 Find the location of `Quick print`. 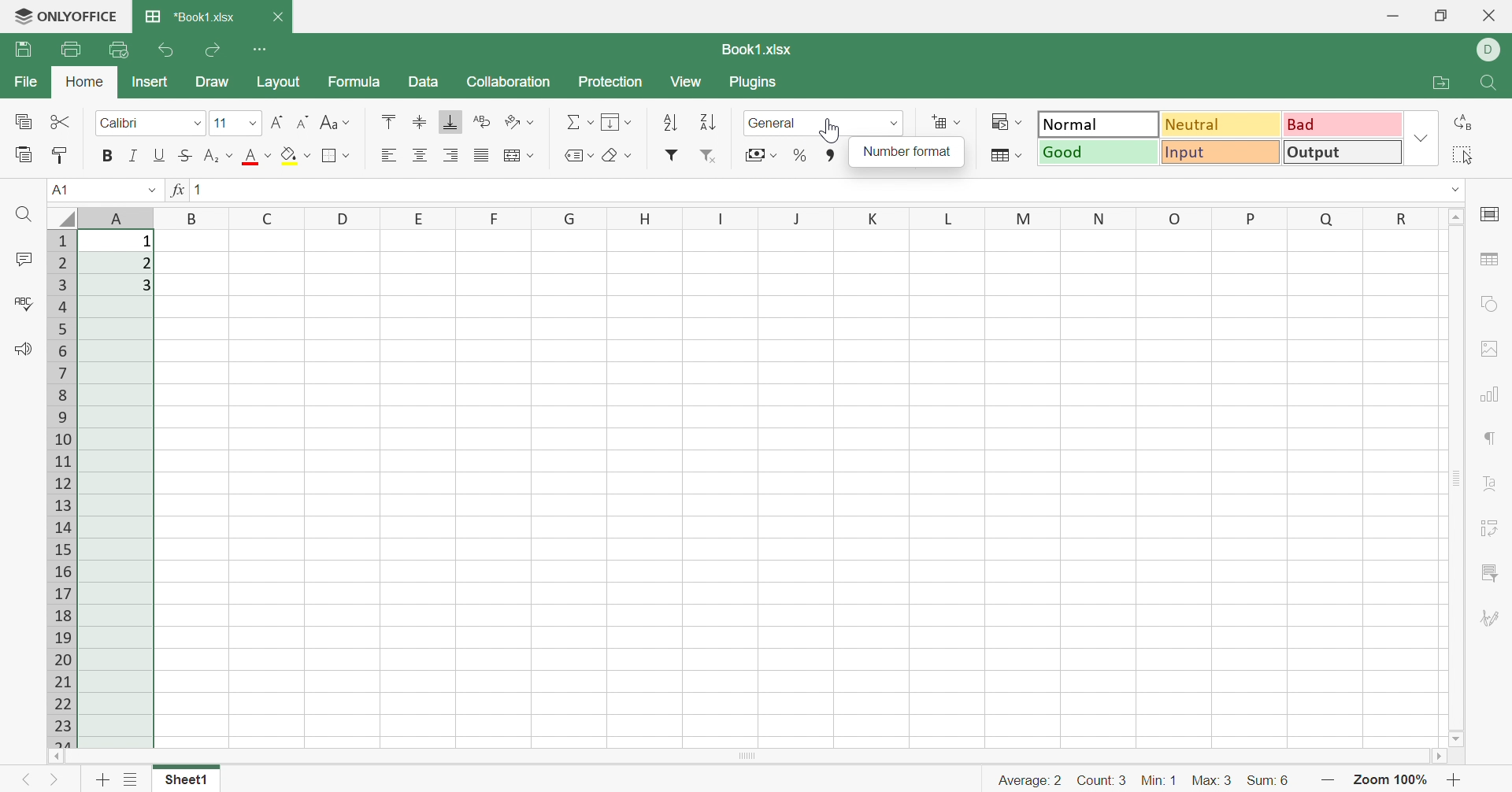

Quick print is located at coordinates (121, 50).